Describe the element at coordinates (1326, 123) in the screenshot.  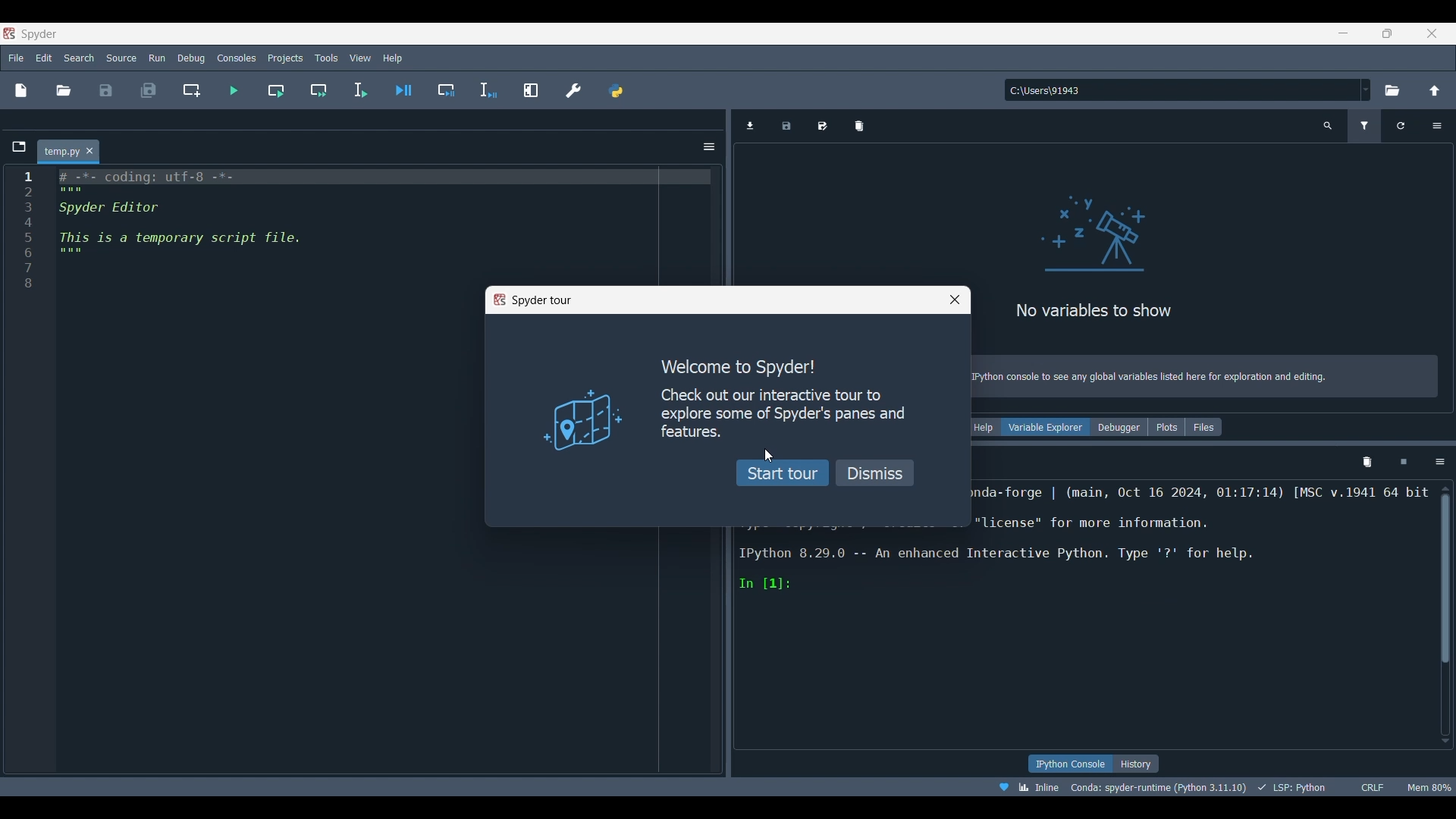
I see `search` at that location.